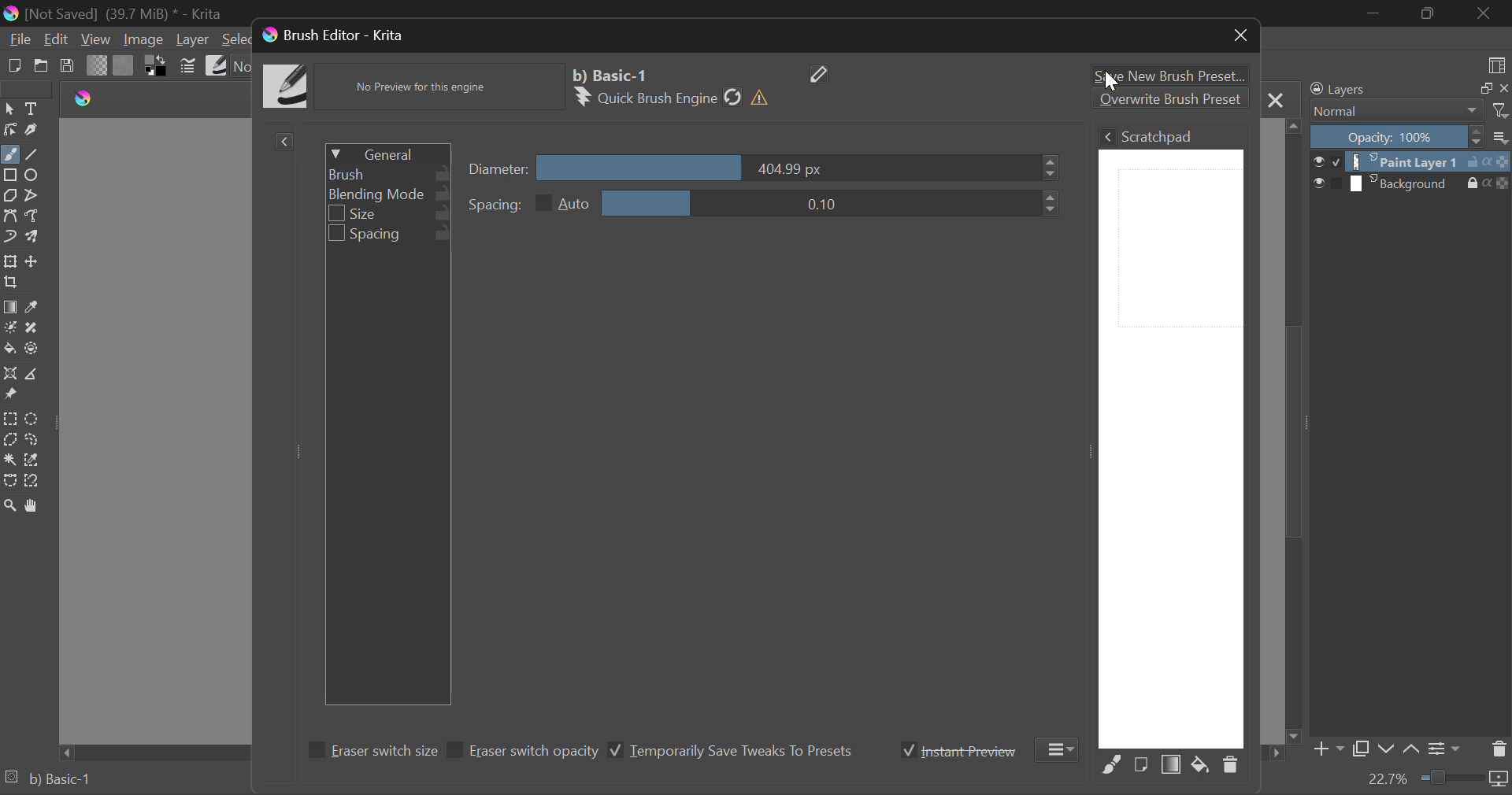  What do you see at coordinates (57, 39) in the screenshot?
I see `Edit` at bounding box center [57, 39].